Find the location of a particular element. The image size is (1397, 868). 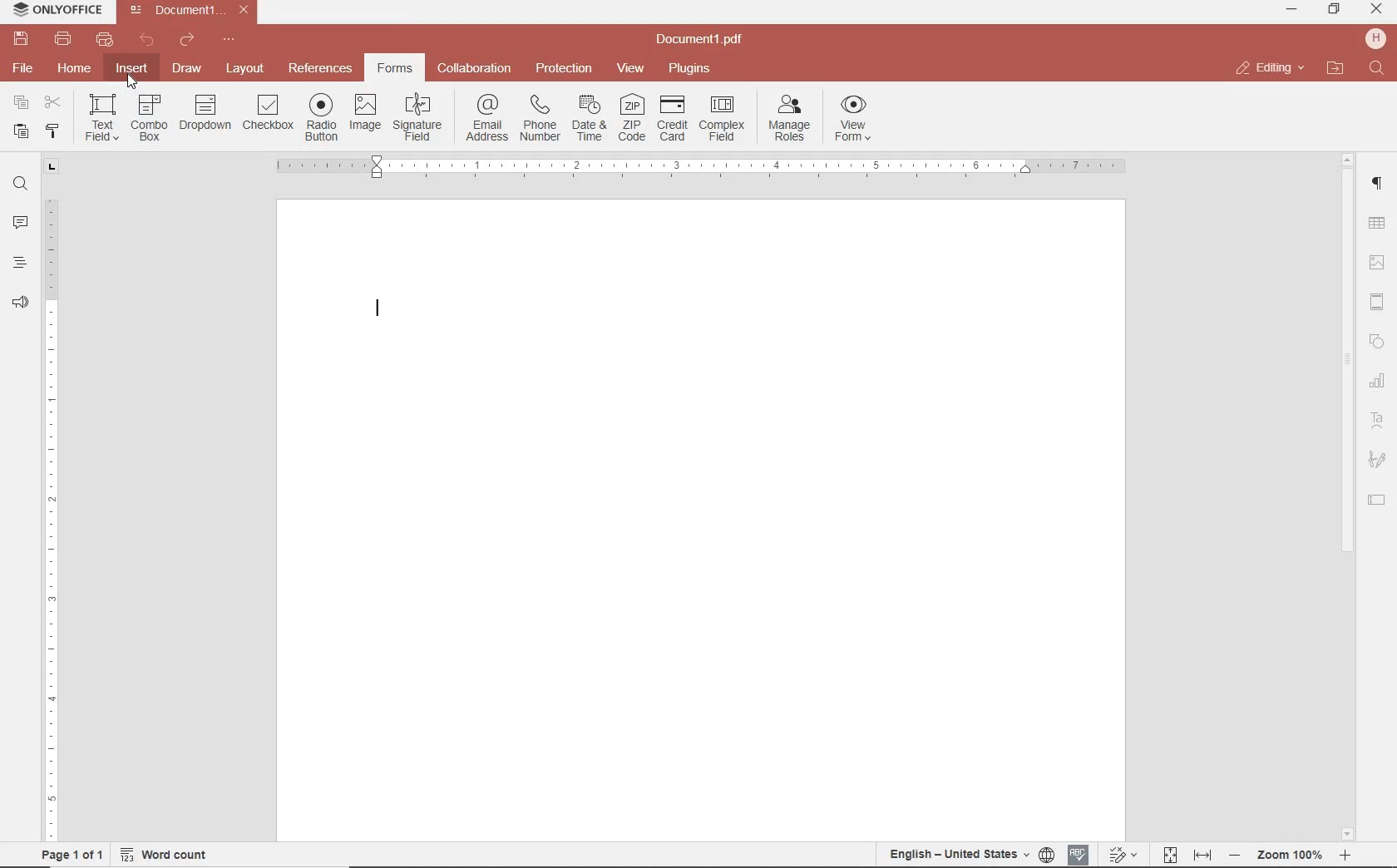

minimize is located at coordinates (1293, 9).